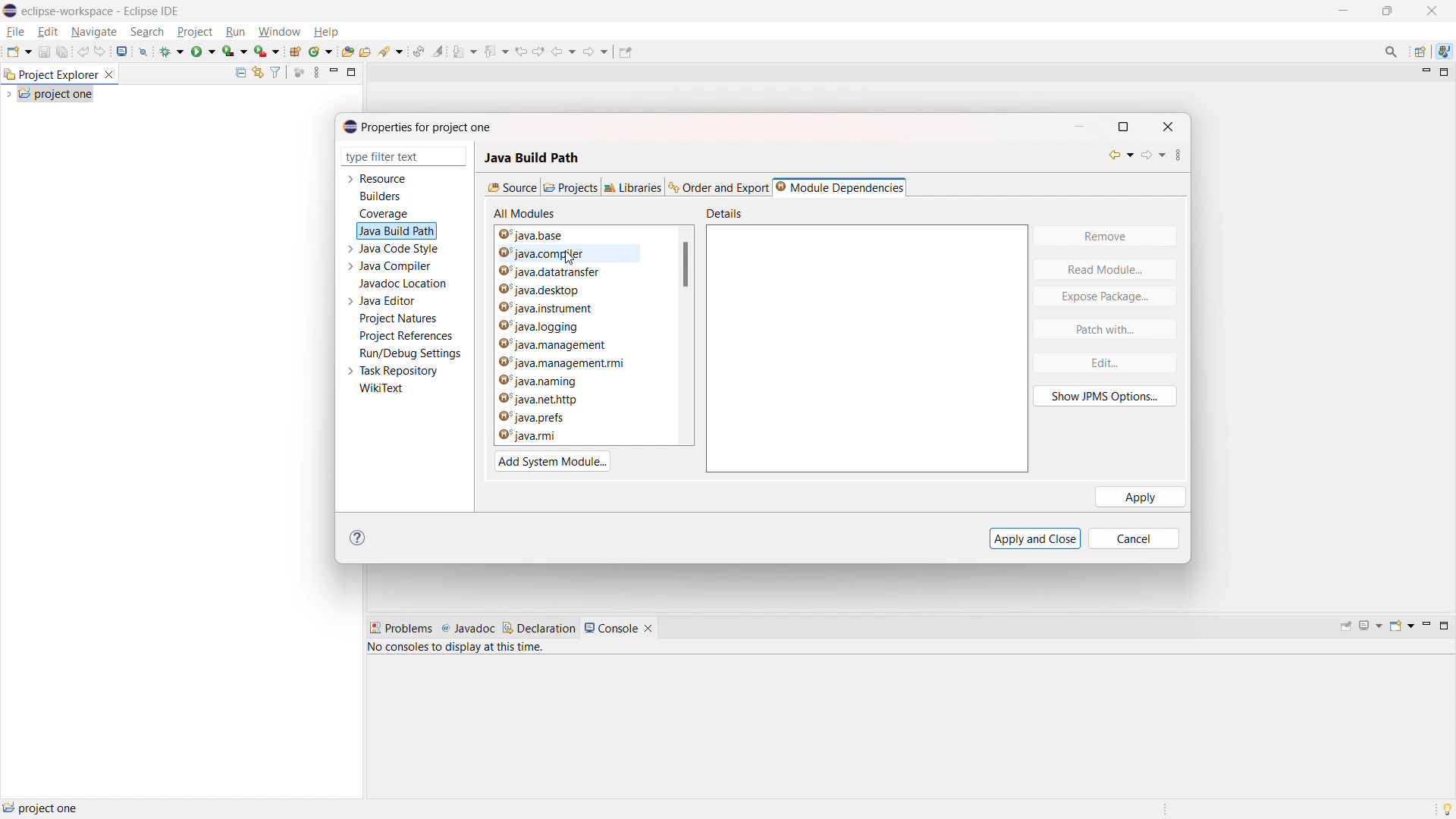 This screenshot has width=1456, height=819. Describe the element at coordinates (235, 51) in the screenshot. I see `coverage` at that location.